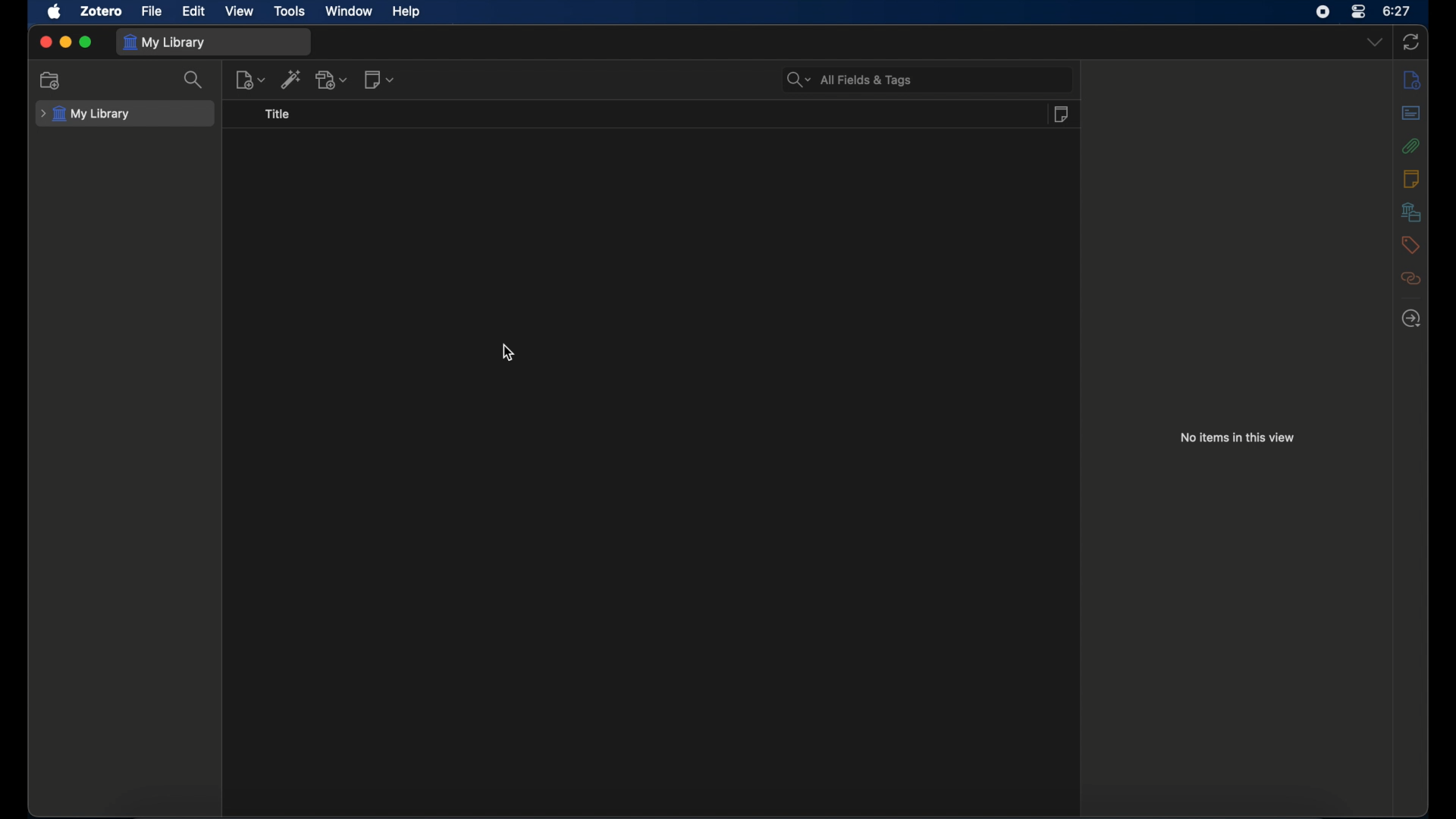 This screenshot has height=819, width=1456. I want to click on related, so click(1410, 278).